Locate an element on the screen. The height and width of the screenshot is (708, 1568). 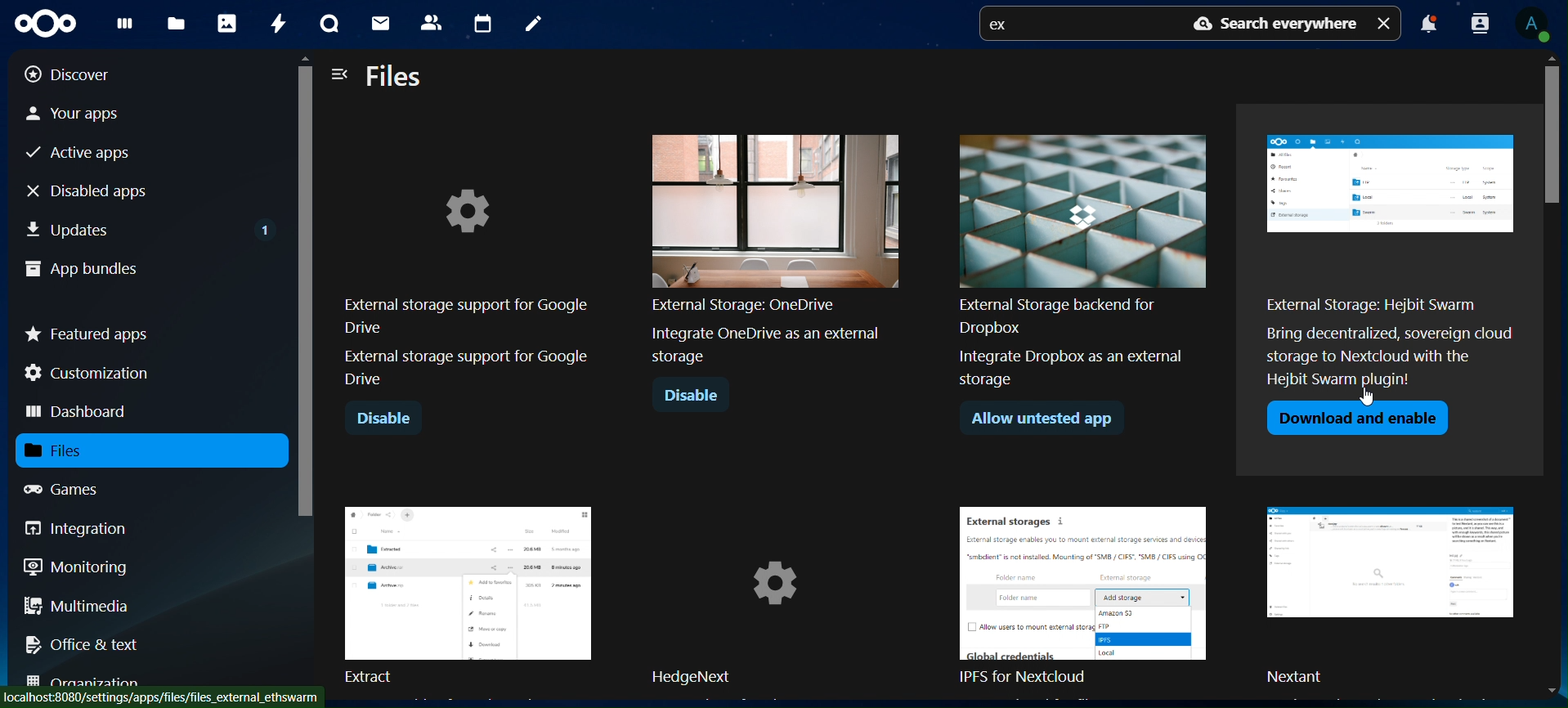
search profile is located at coordinates (1481, 22).